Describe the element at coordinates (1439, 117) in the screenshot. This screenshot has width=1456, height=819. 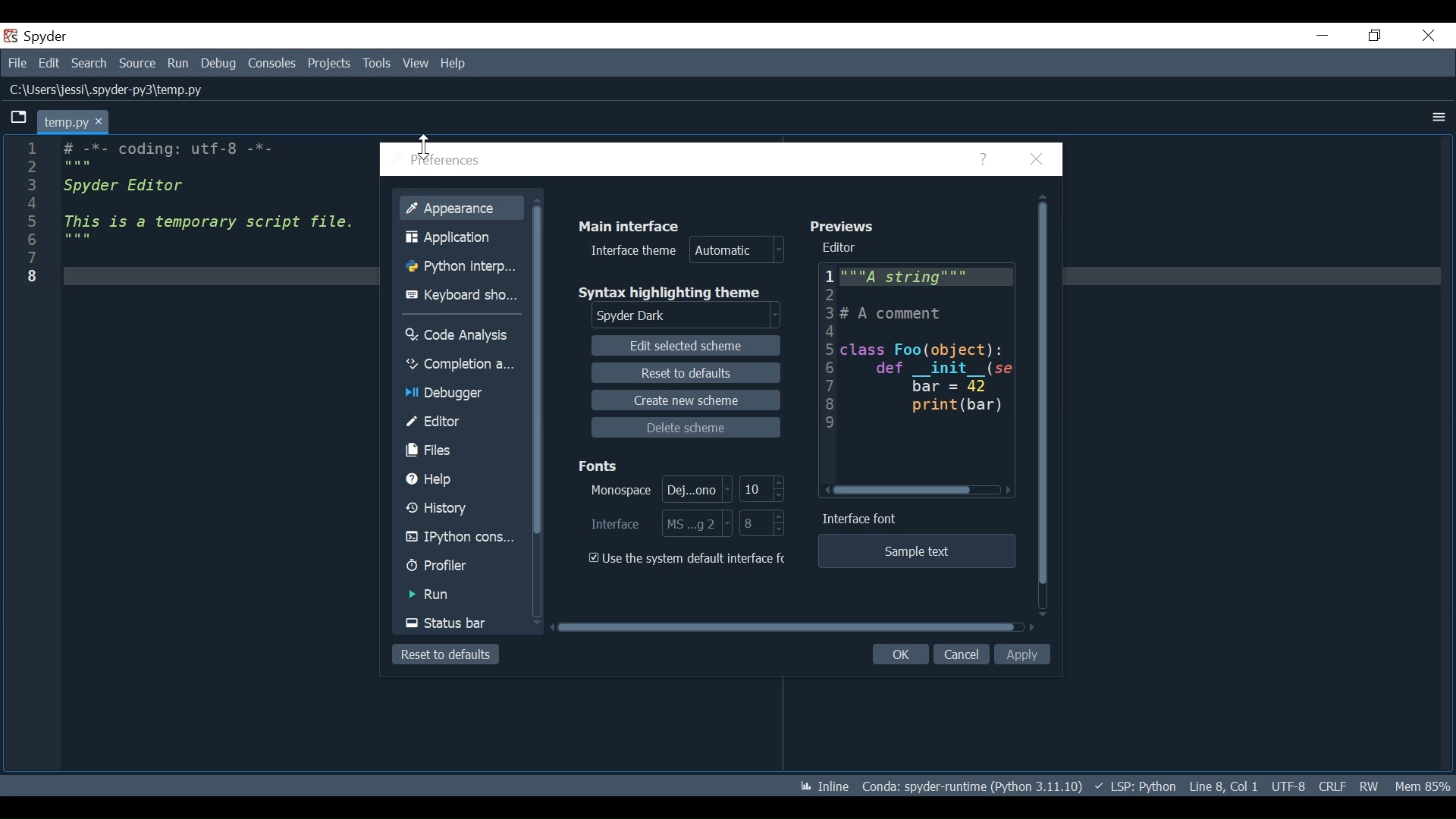
I see `More Options` at that location.